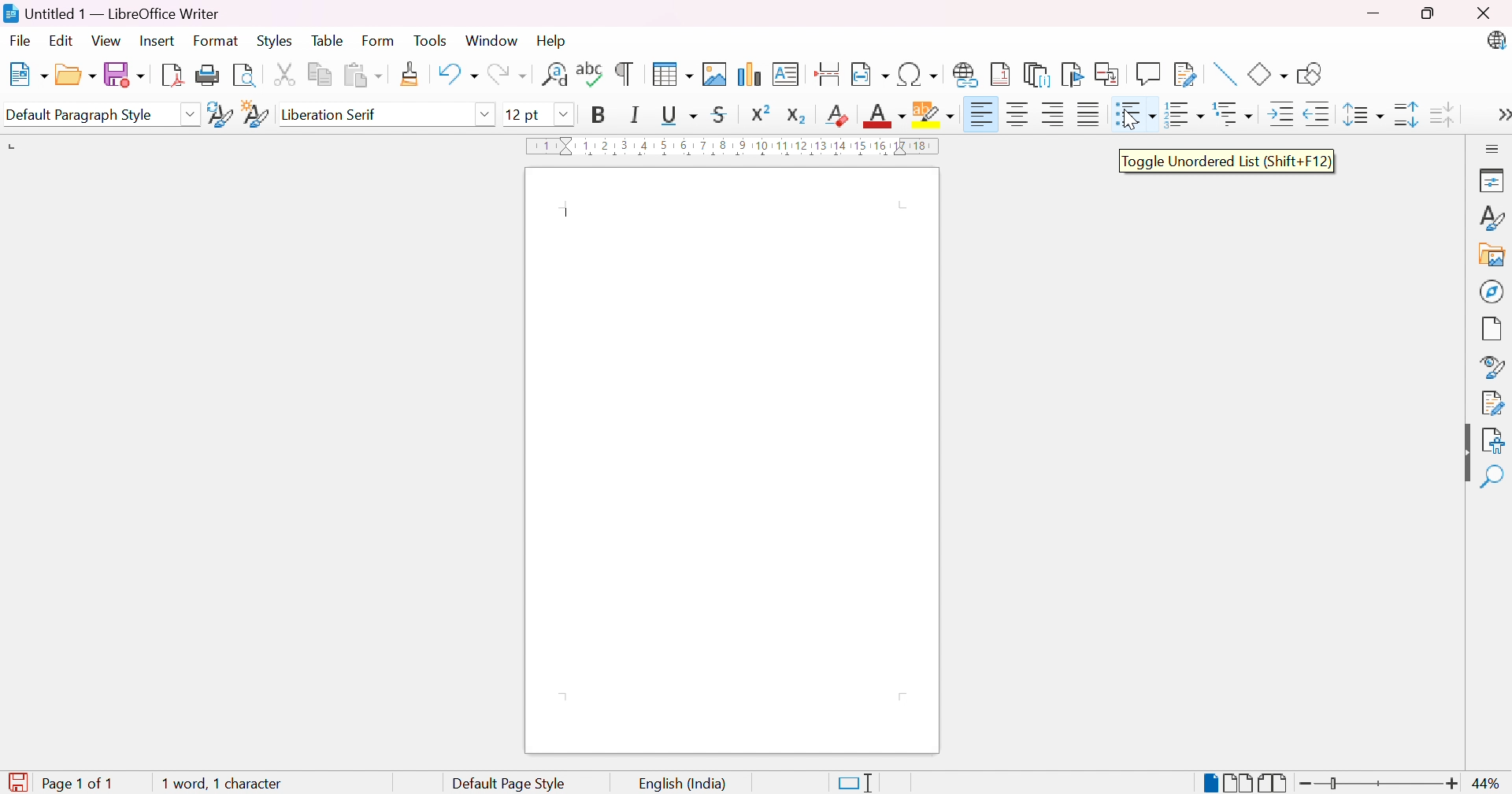  What do you see at coordinates (1407, 116) in the screenshot?
I see `Increase paragraph spacing` at bounding box center [1407, 116].